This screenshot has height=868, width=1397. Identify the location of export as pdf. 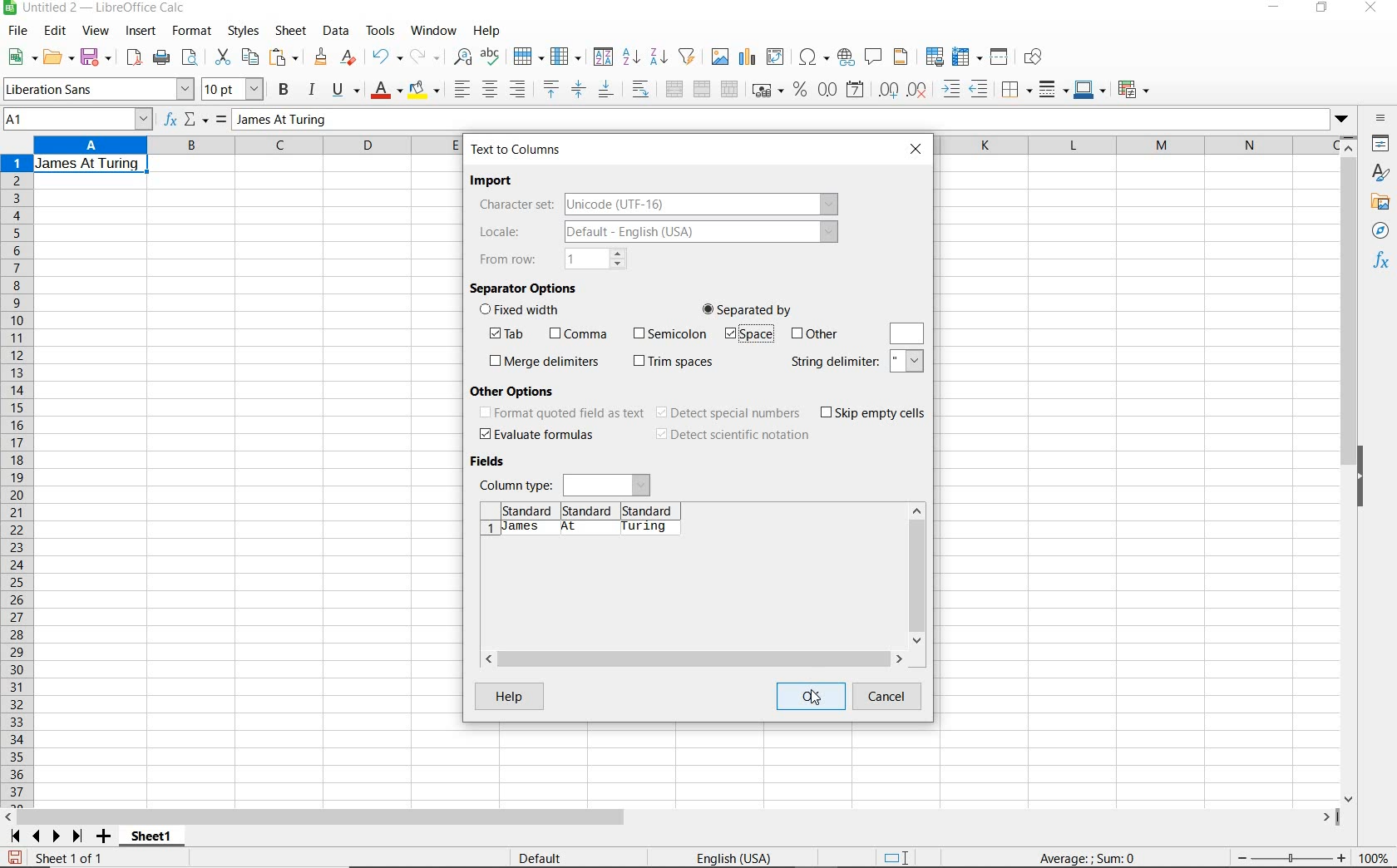
(132, 57).